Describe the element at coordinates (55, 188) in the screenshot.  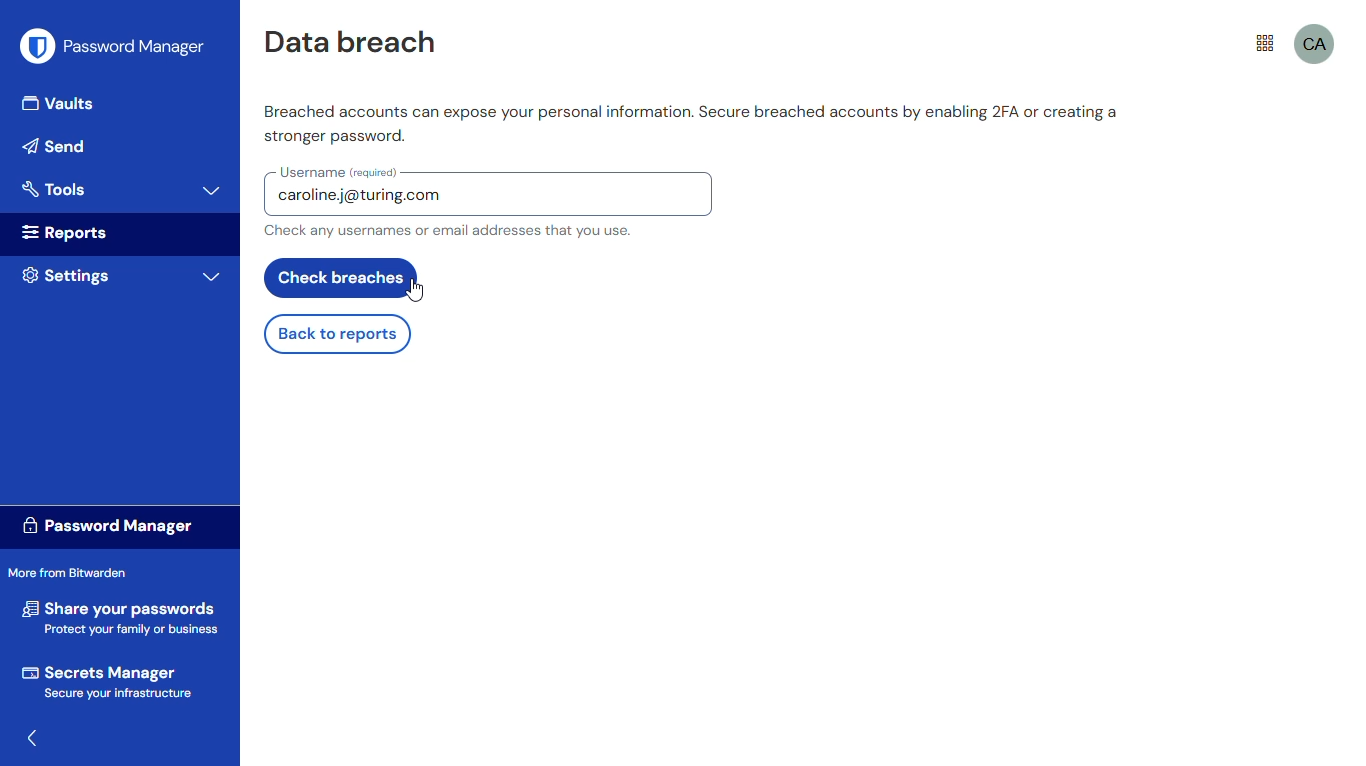
I see `tools` at that location.